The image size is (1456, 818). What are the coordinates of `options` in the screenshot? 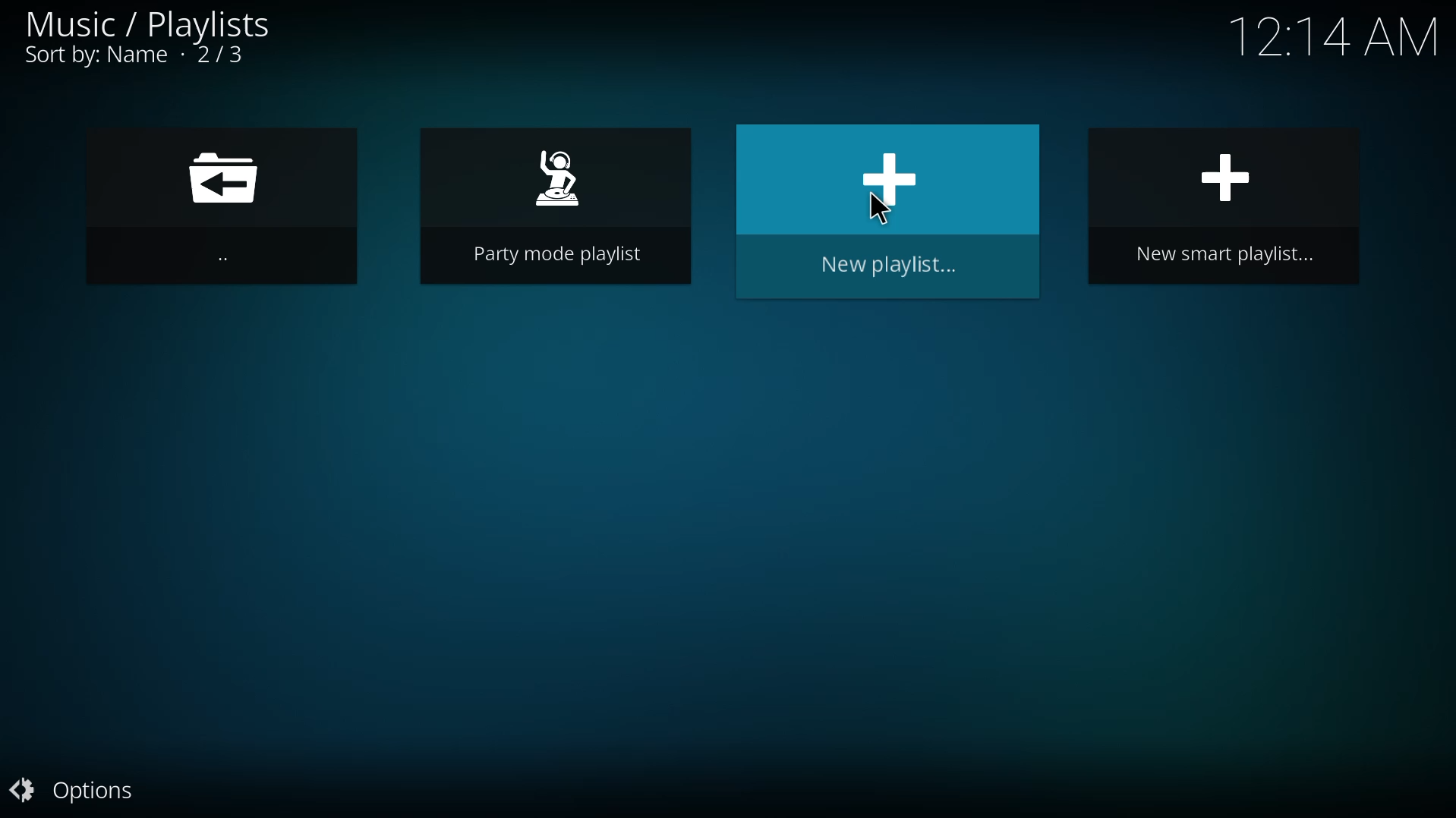 It's located at (71, 791).